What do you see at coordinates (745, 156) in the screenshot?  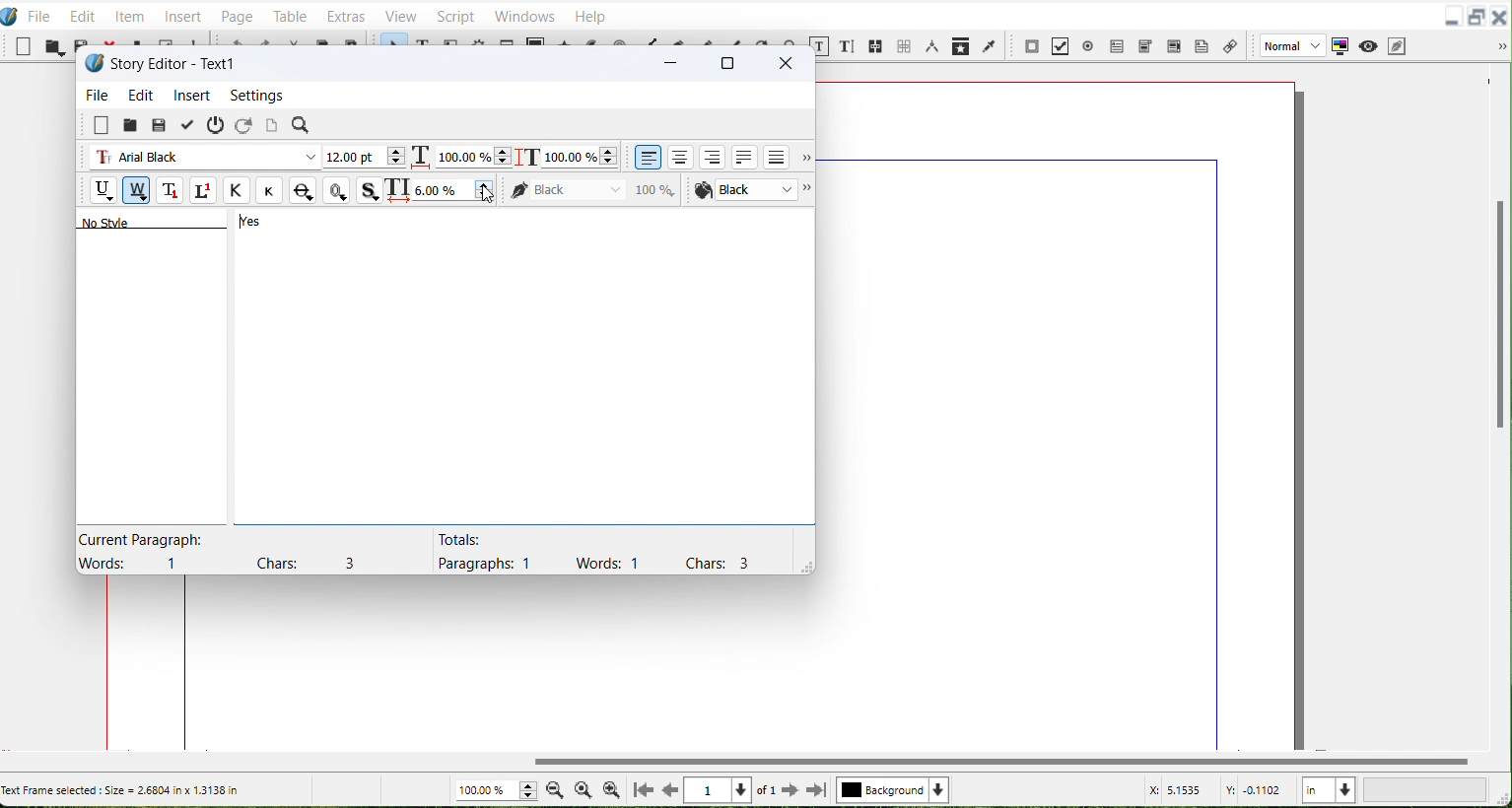 I see `Align text justified` at bounding box center [745, 156].